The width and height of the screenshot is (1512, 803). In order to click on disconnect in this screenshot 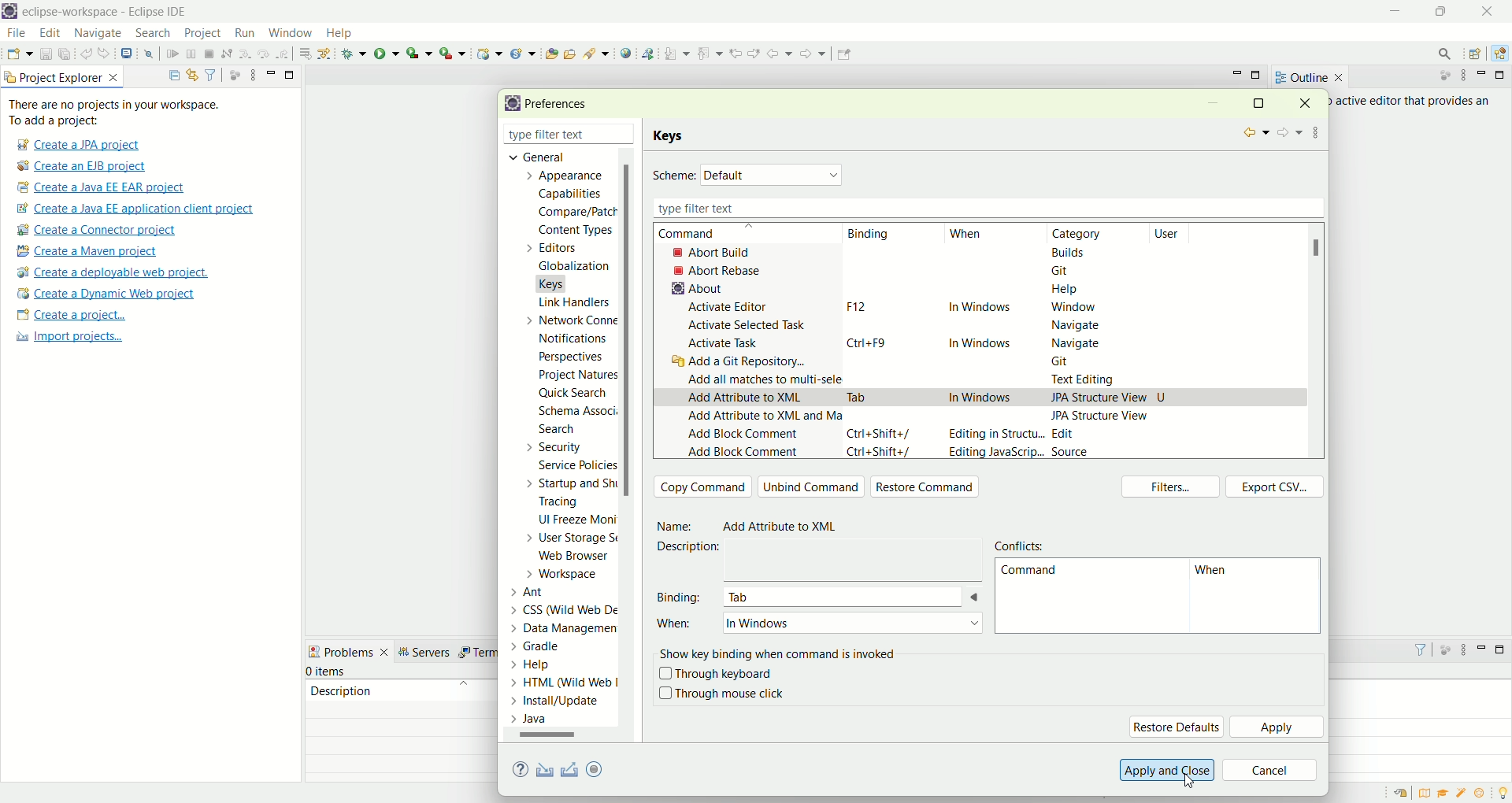, I will do `click(225, 54)`.